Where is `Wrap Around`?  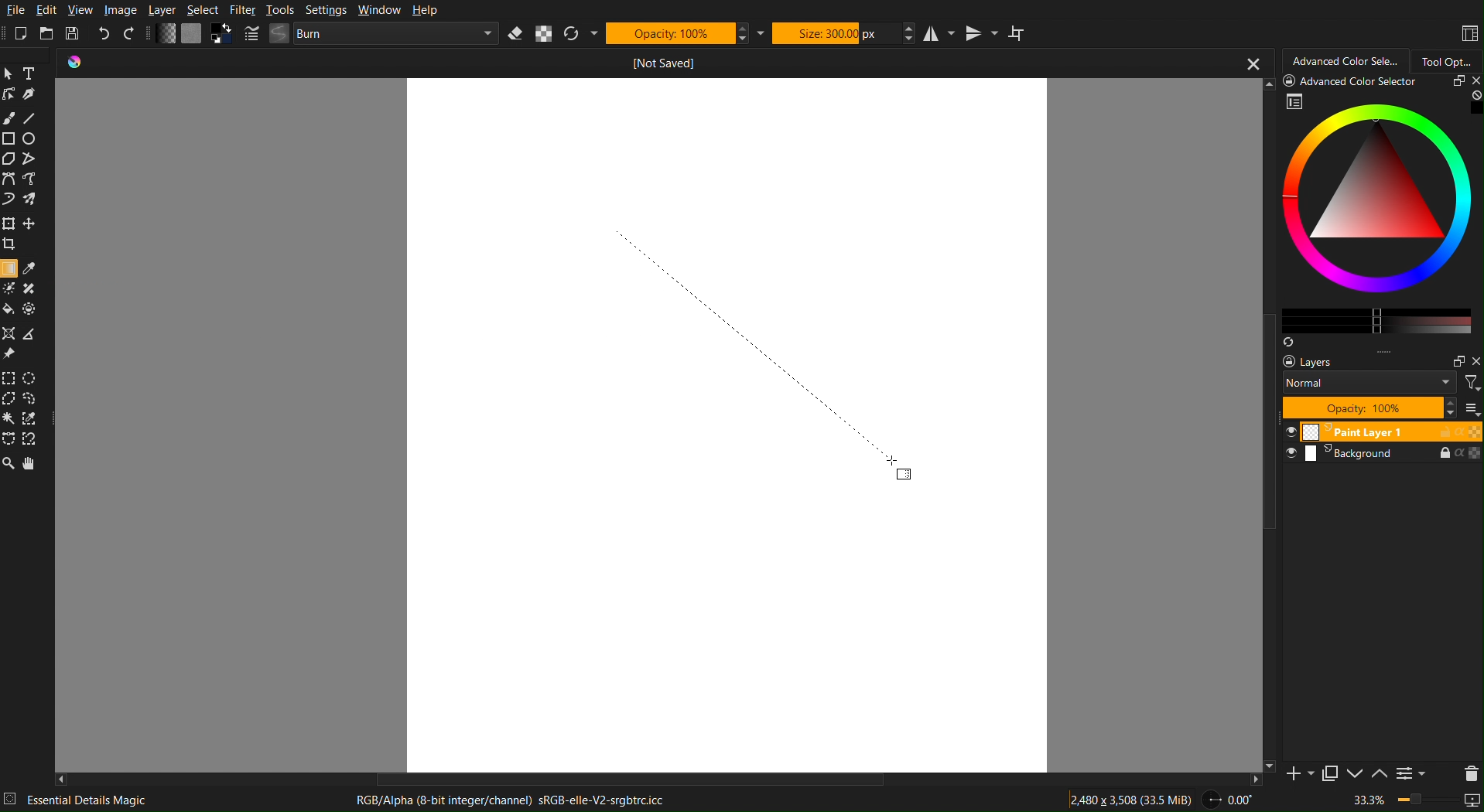 Wrap Around is located at coordinates (1017, 32).